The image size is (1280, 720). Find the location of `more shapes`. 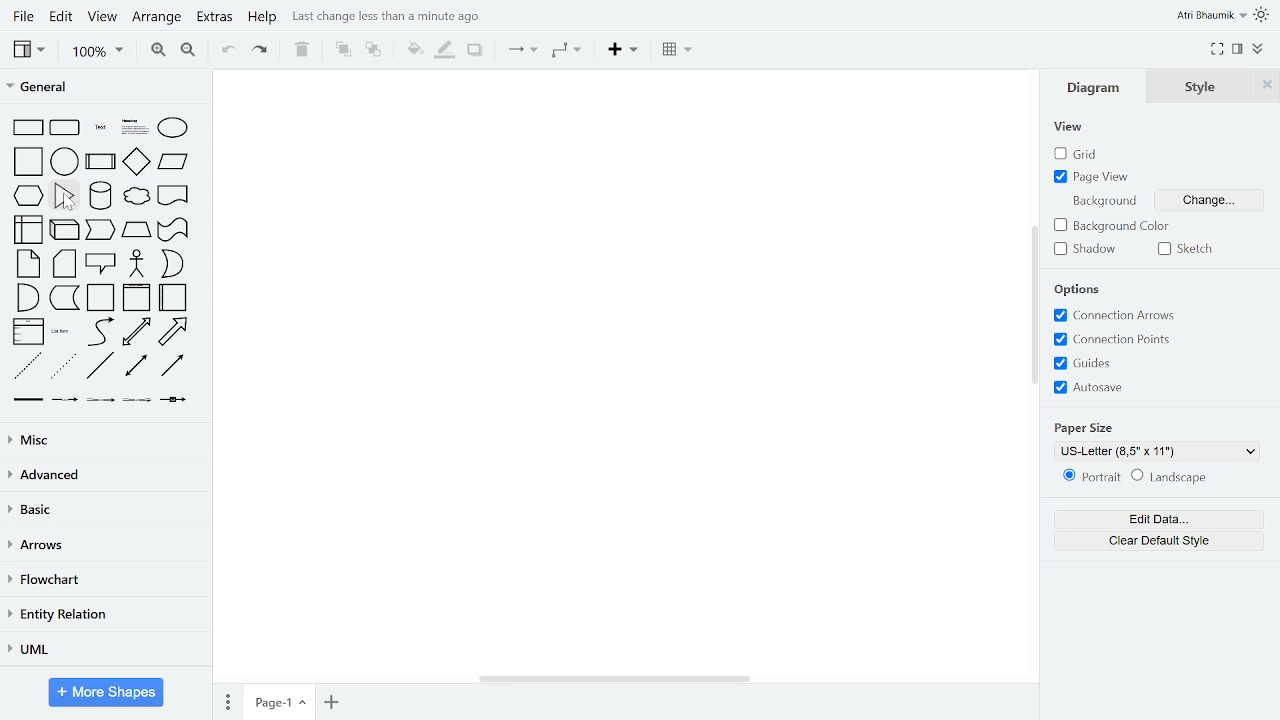

more shapes is located at coordinates (107, 692).